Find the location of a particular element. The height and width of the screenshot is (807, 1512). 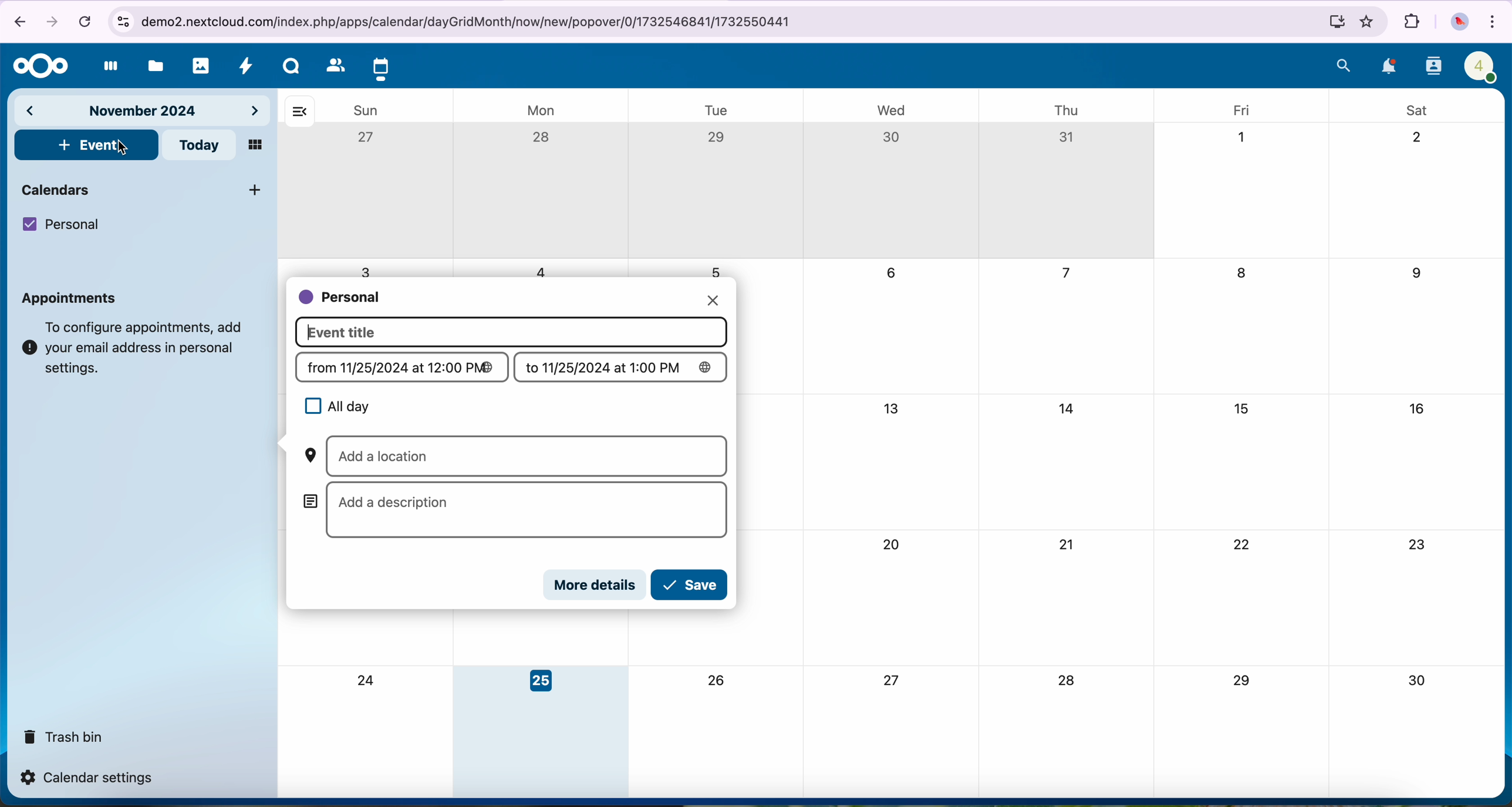

contacts is located at coordinates (1432, 67).